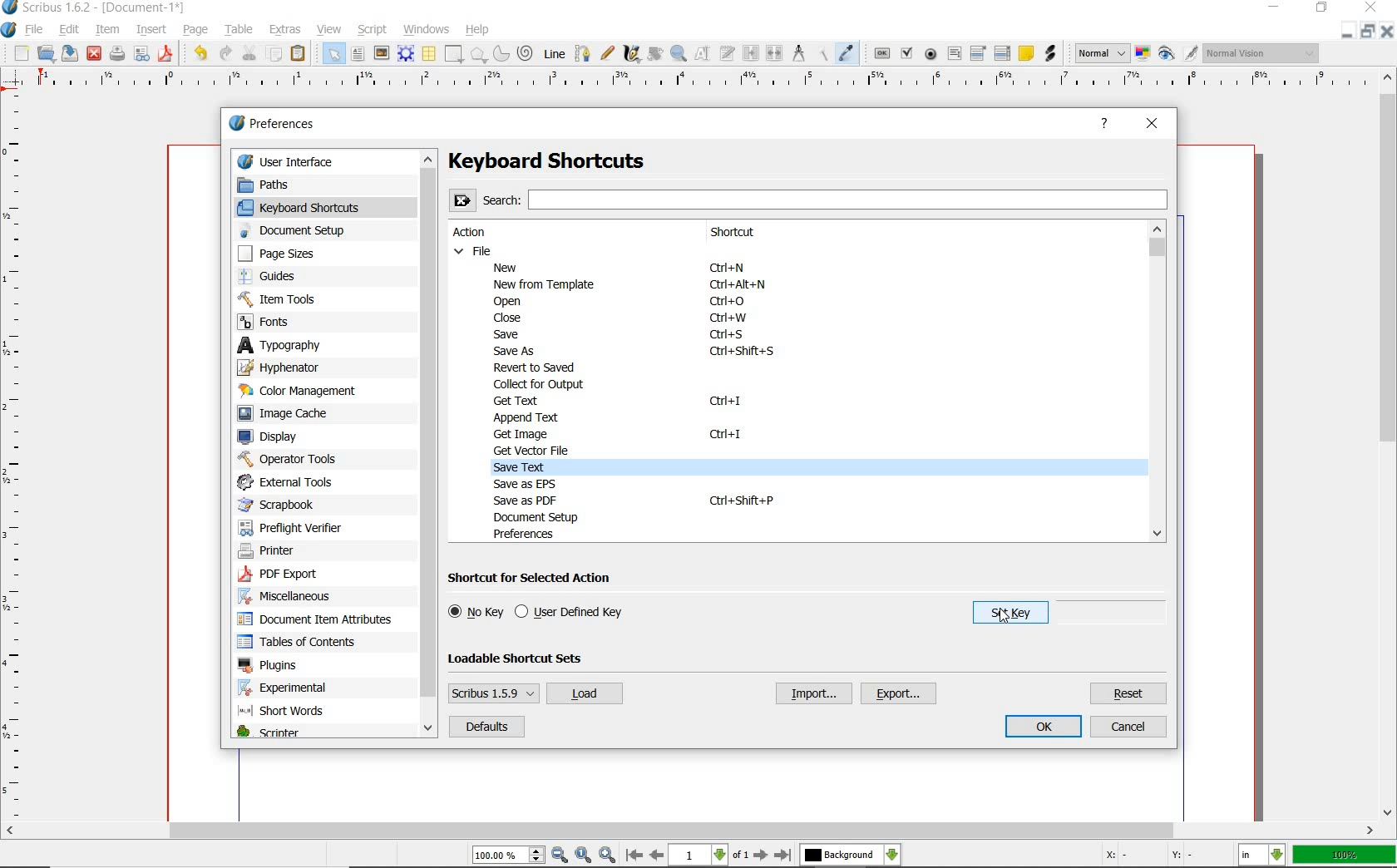 This screenshot has height=868, width=1397. I want to click on text annotation, so click(1026, 53).